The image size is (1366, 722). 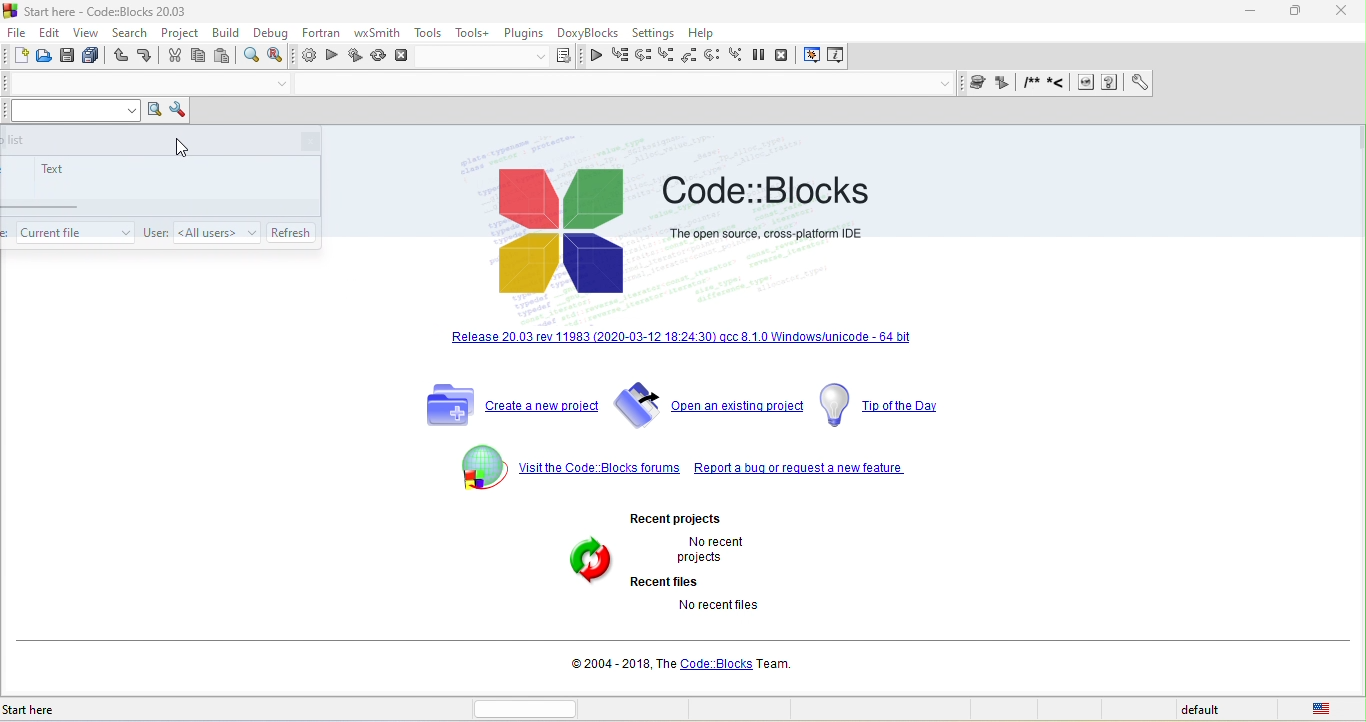 What do you see at coordinates (180, 34) in the screenshot?
I see `project` at bounding box center [180, 34].